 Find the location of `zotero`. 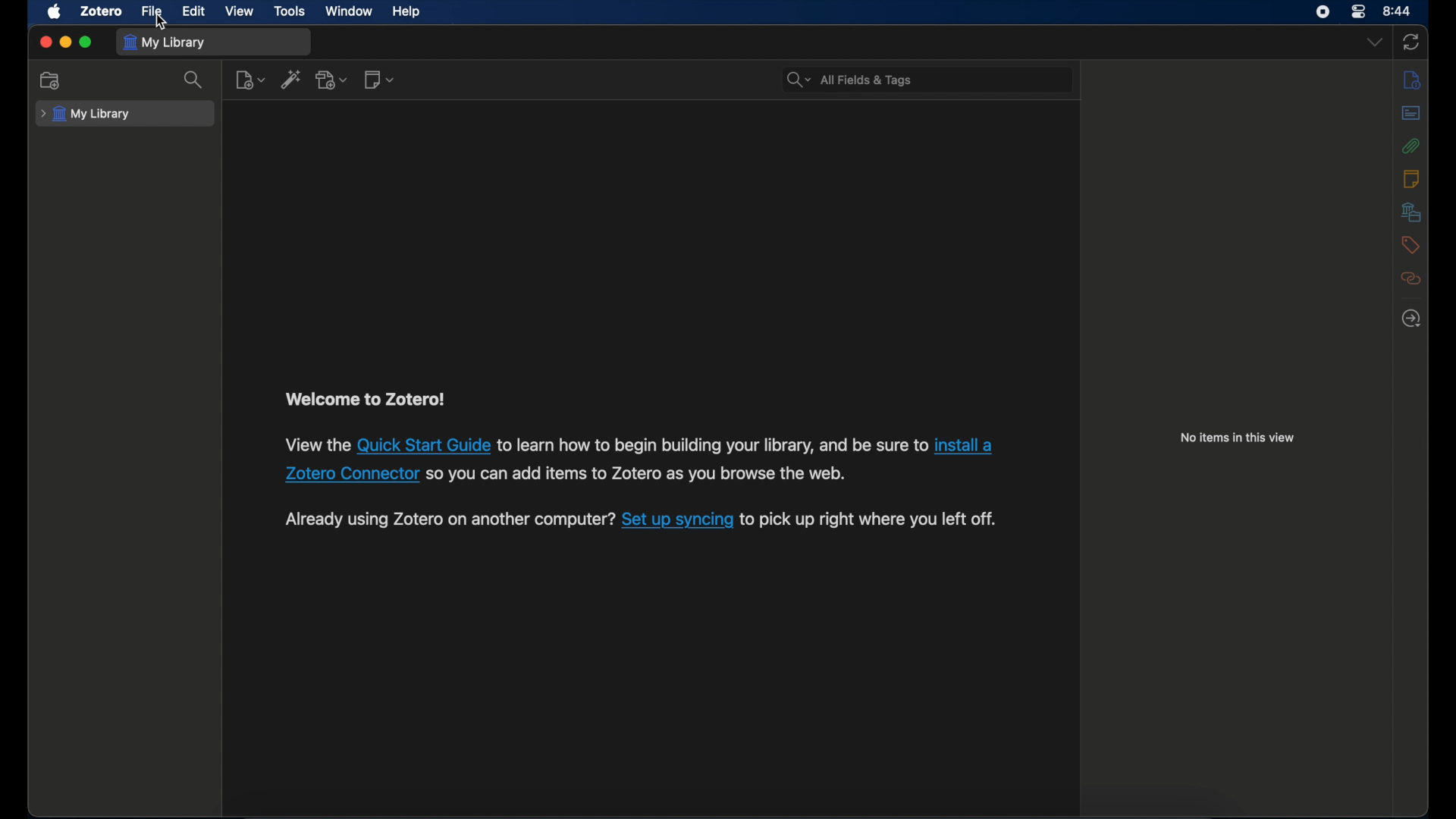

zotero is located at coordinates (102, 12).